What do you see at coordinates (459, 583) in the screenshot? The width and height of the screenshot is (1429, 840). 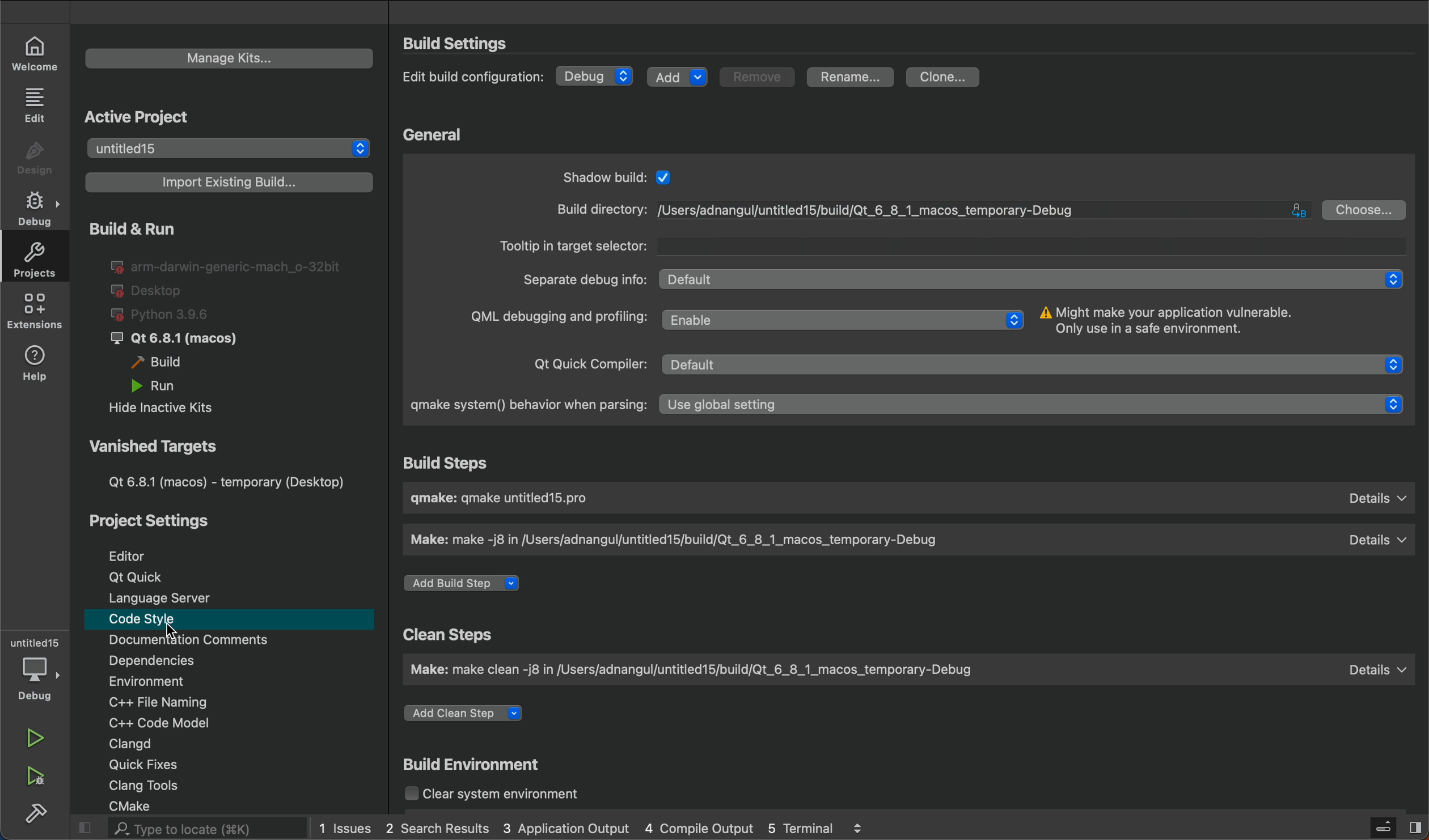 I see `add build type` at bounding box center [459, 583].